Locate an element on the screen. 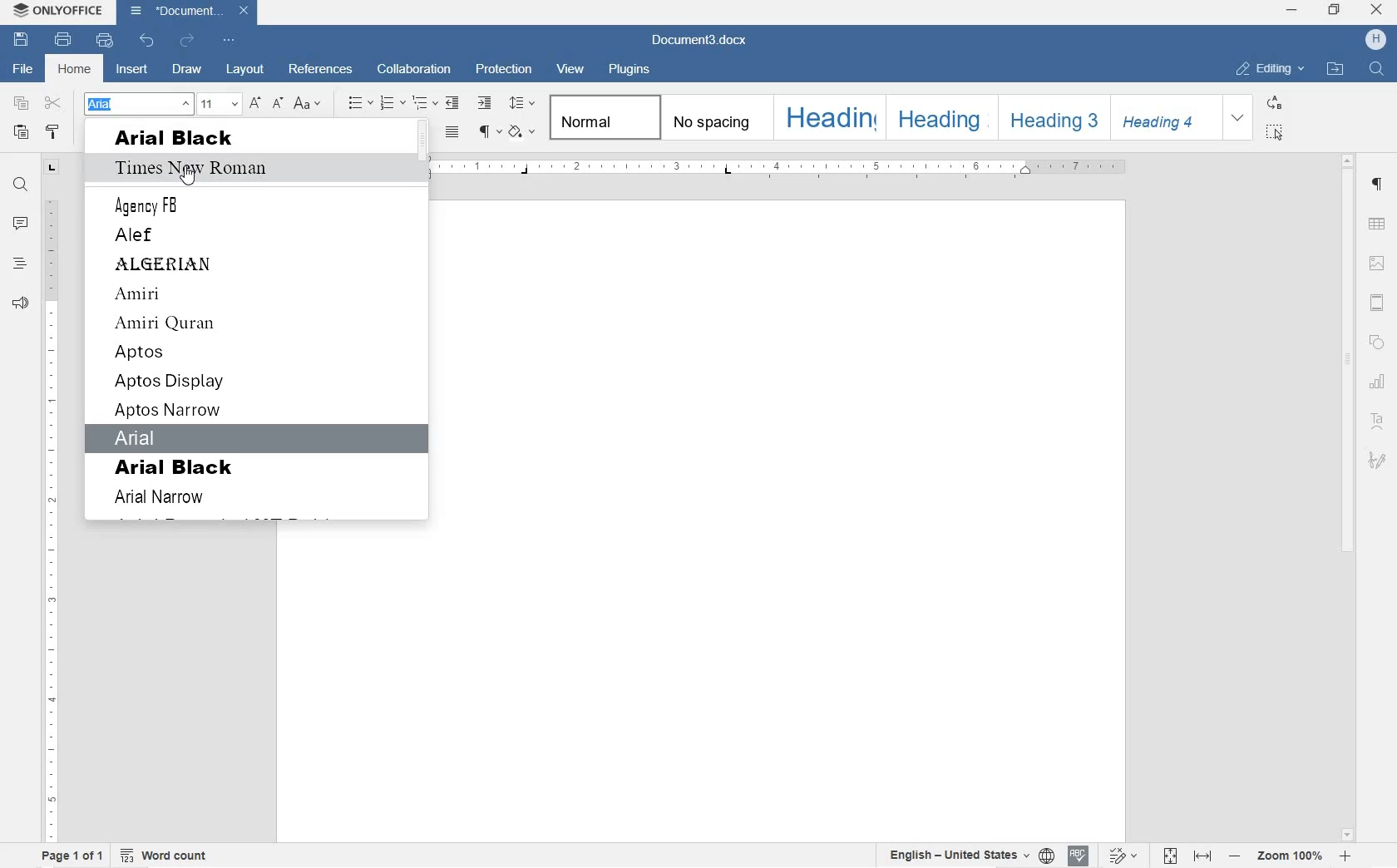 This screenshot has width=1397, height=868. amiri qaran is located at coordinates (172, 323).